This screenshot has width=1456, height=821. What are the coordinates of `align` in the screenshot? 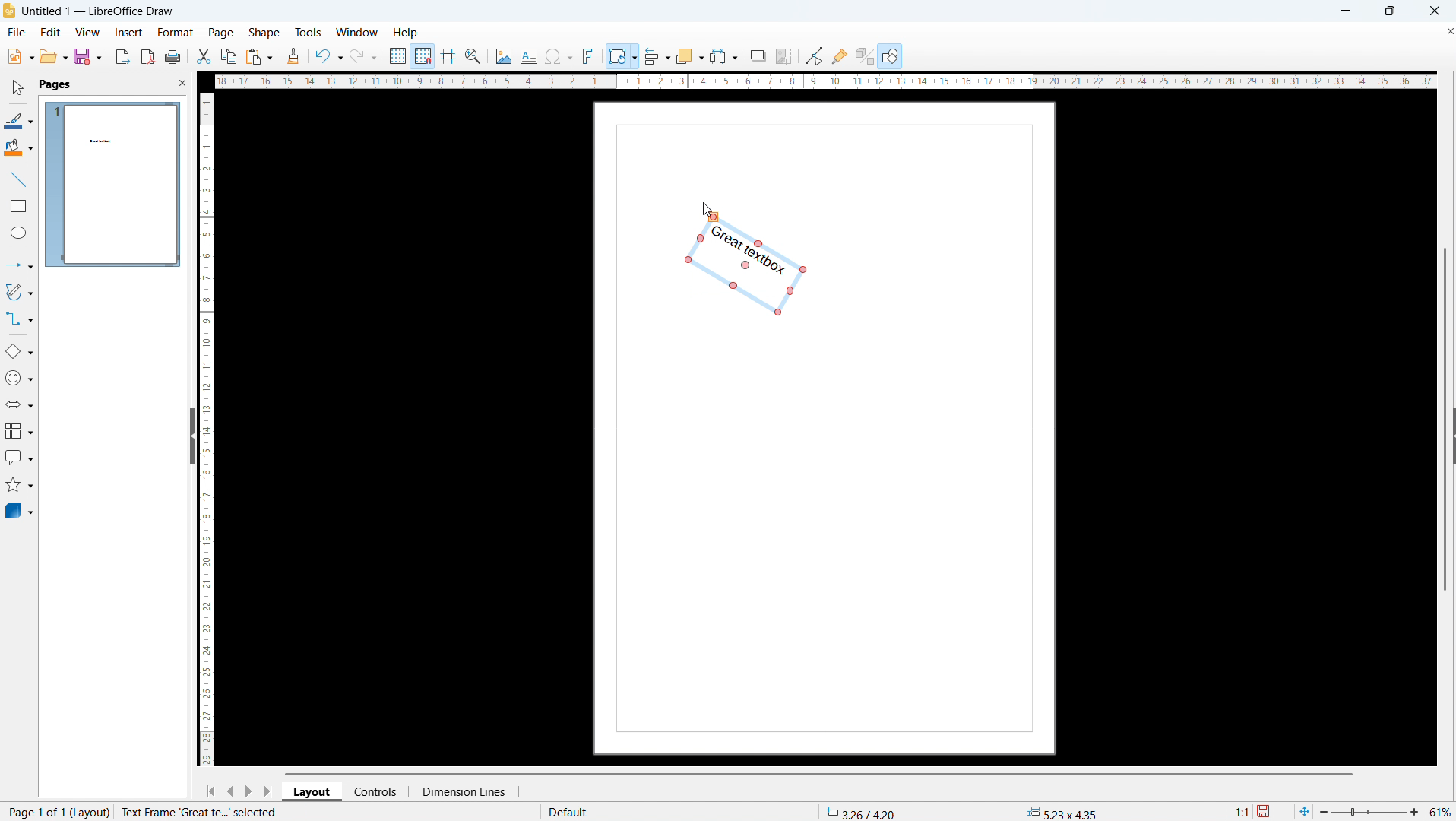 It's located at (657, 55).